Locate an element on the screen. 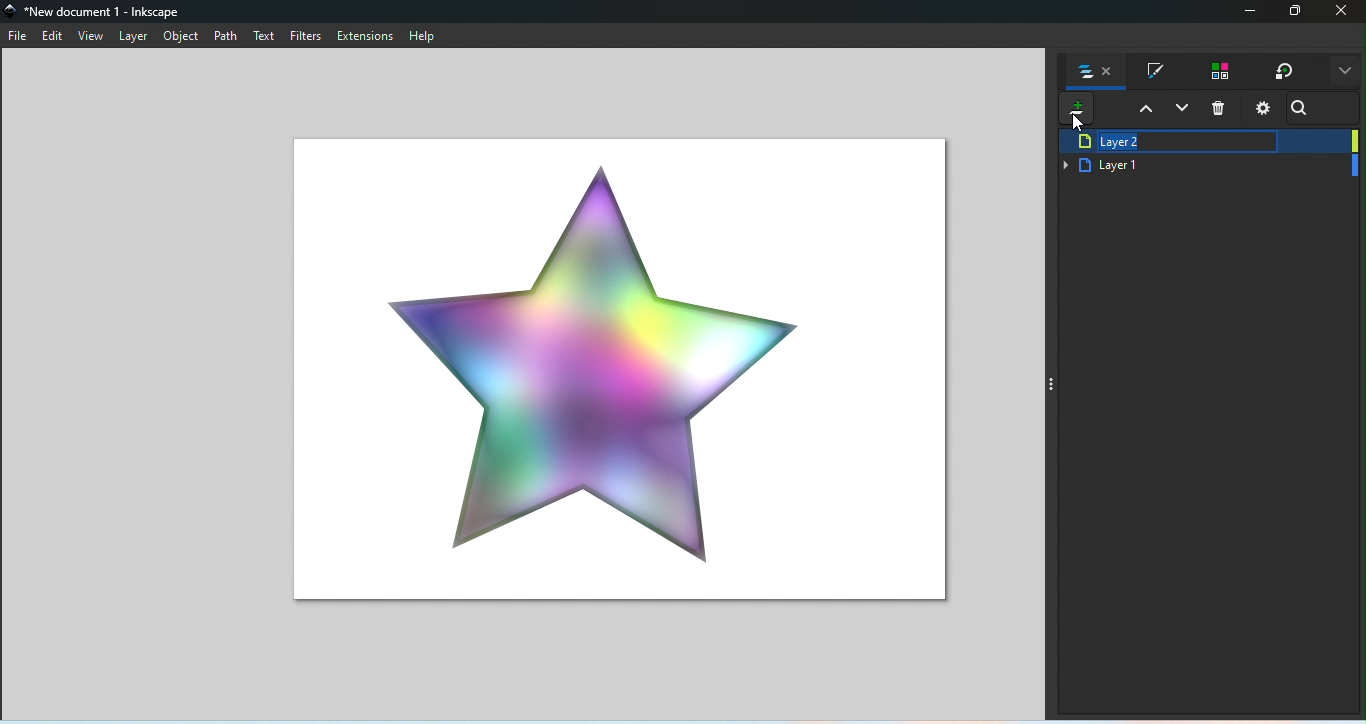 The image size is (1366, 724). Path is located at coordinates (227, 38).